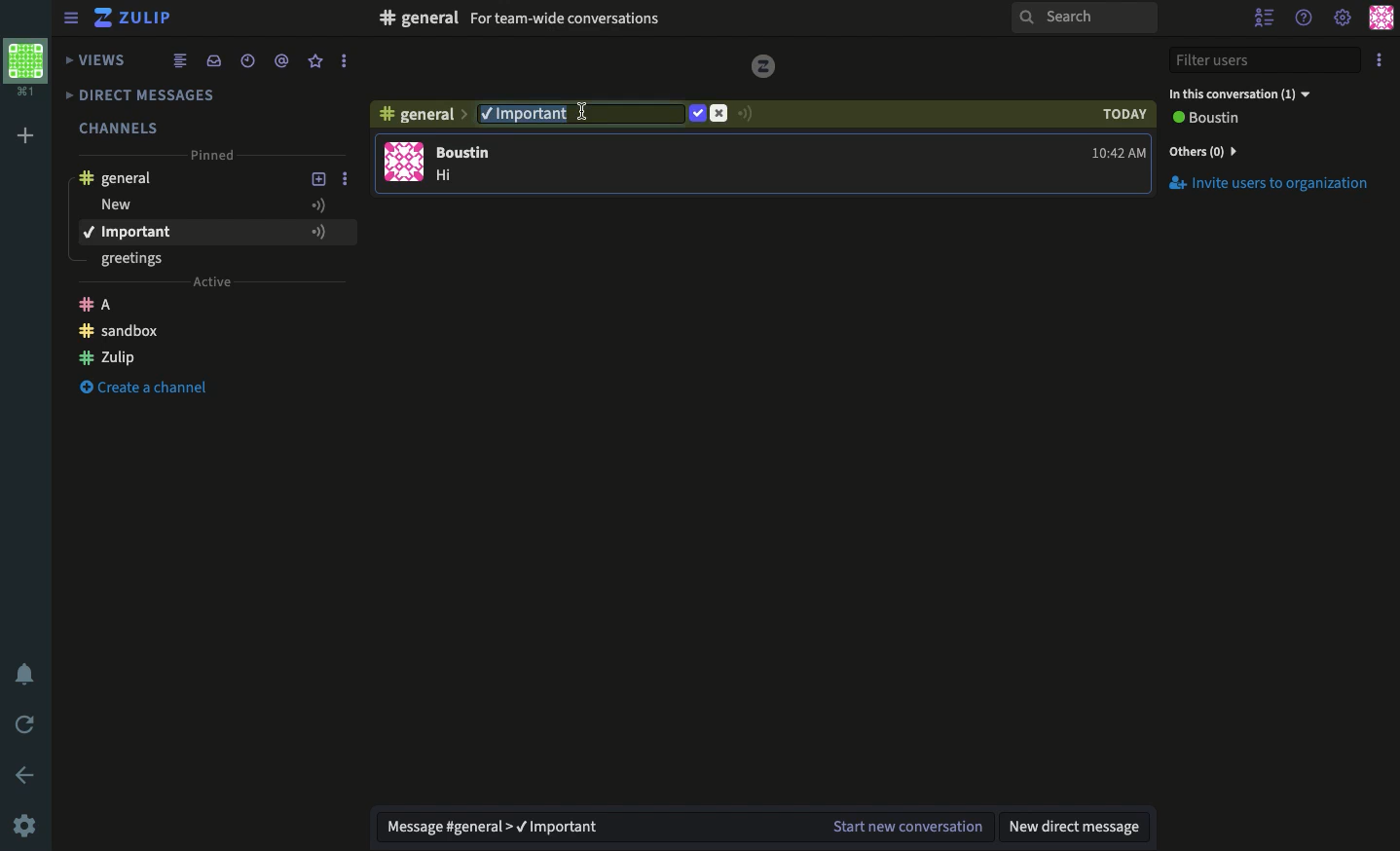 This screenshot has width=1400, height=851. I want to click on Typing, so click(574, 114).